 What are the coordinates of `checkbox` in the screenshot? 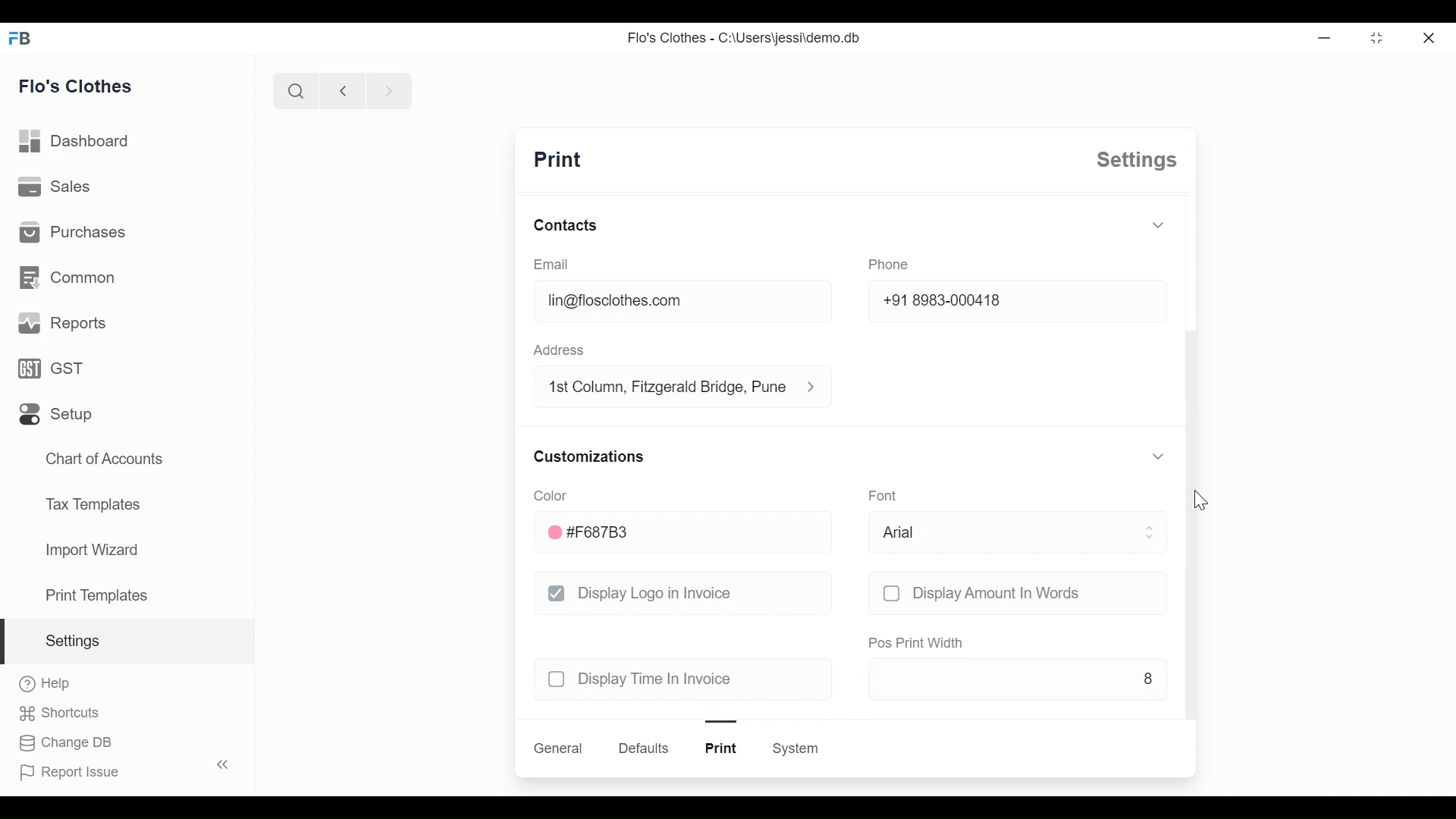 It's located at (557, 593).